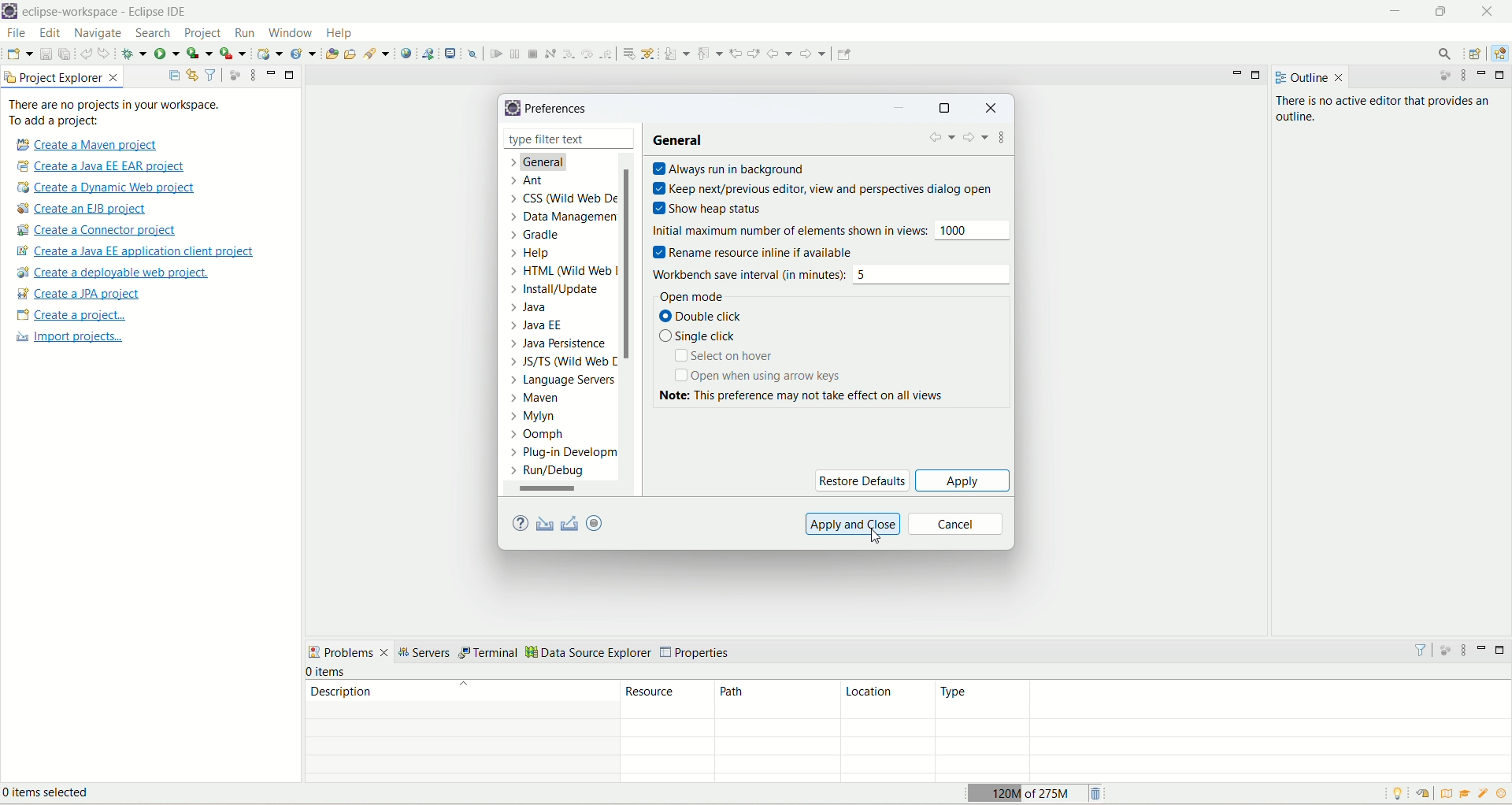 The width and height of the screenshot is (1512, 805). I want to click on what's new, so click(1484, 796).